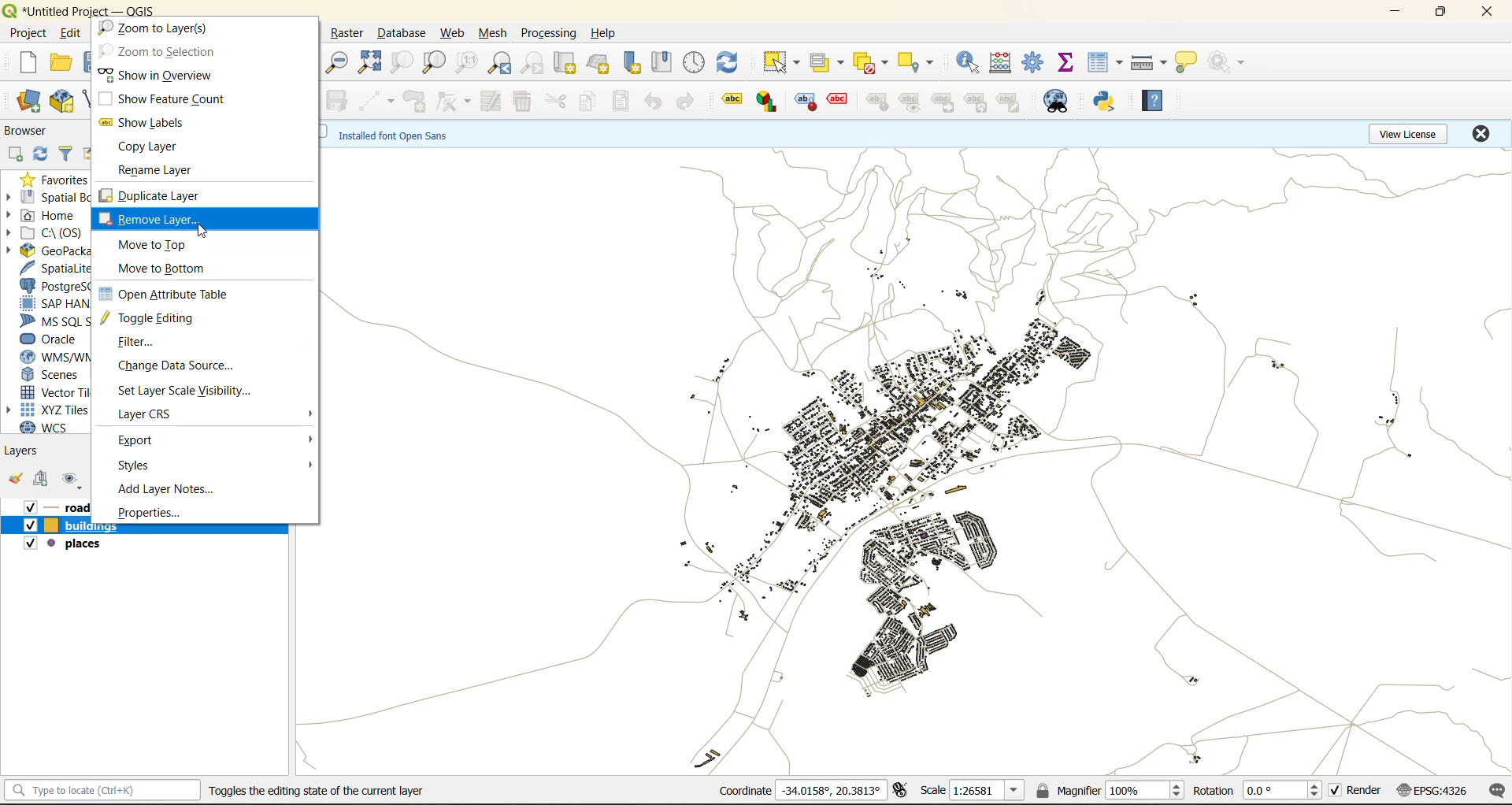 The image size is (1512, 805). Describe the element at coordinates (599, 61) in the screenshot. I see `new 3d map` at that location.